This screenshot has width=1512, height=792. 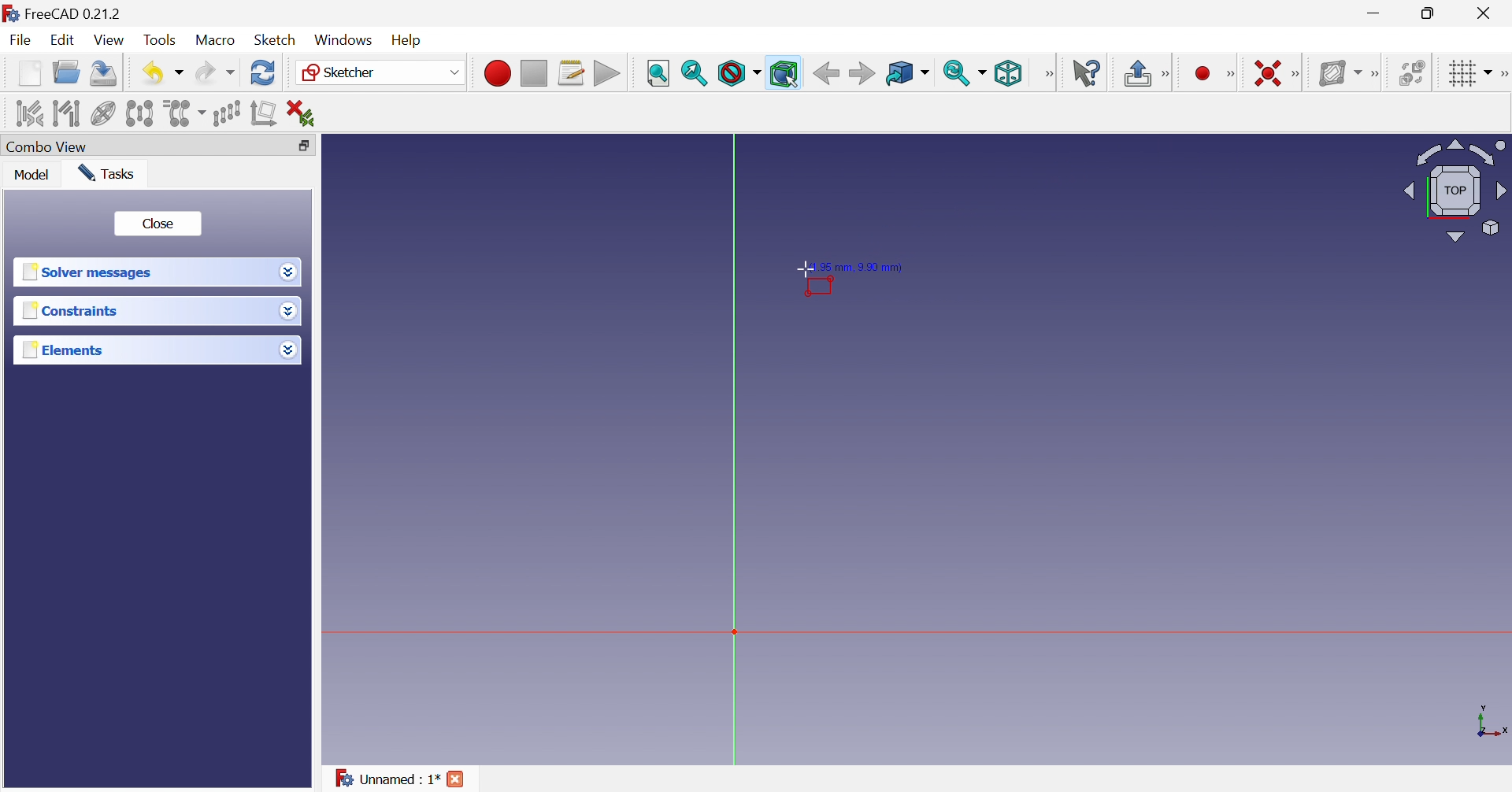 What do you see at coordinates (695, 72) in the screenshot?
I see `Fit selection` at bounding box center [695, 72].